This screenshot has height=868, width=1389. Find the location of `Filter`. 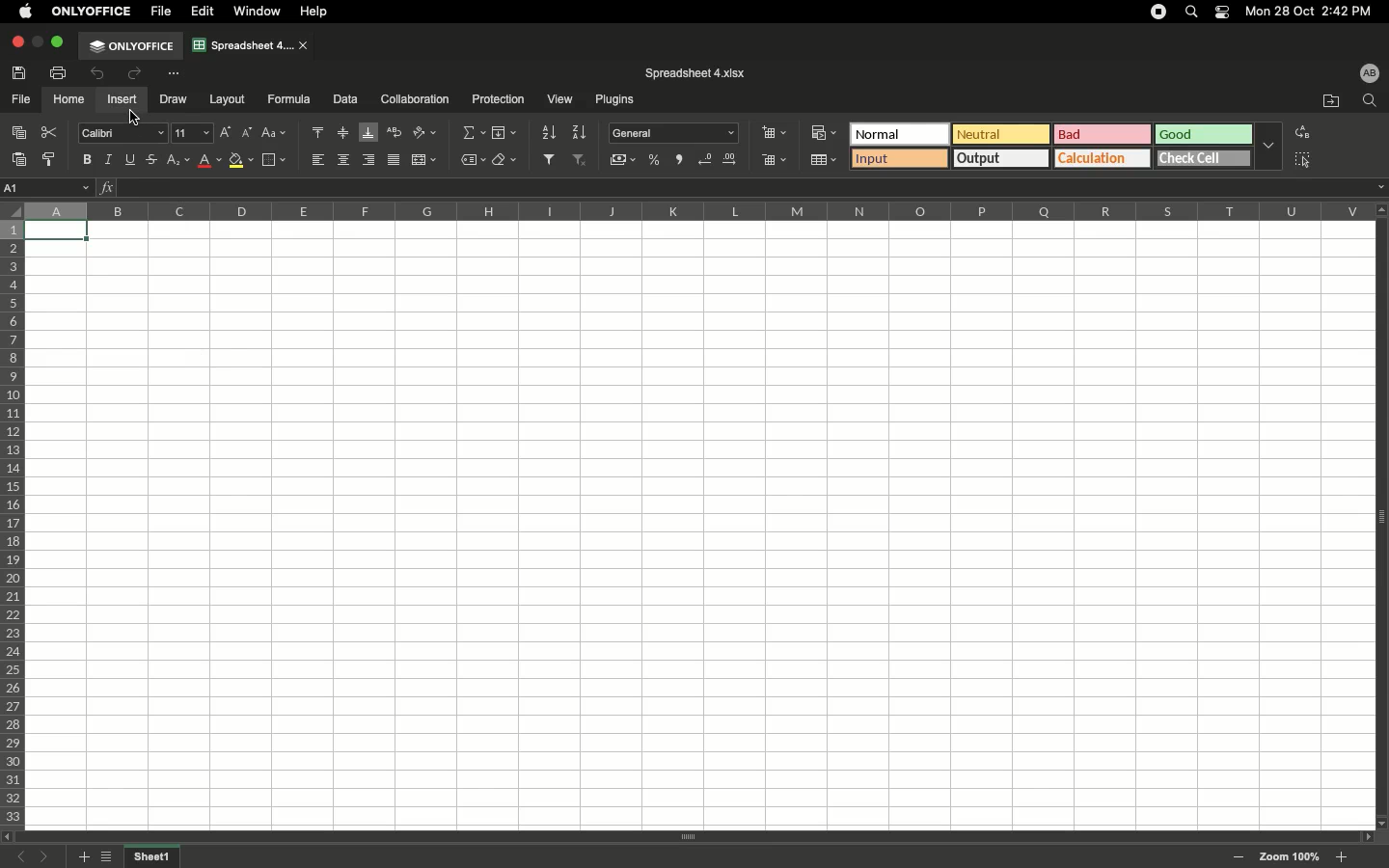

Filter is located at coordinates (548, 158).